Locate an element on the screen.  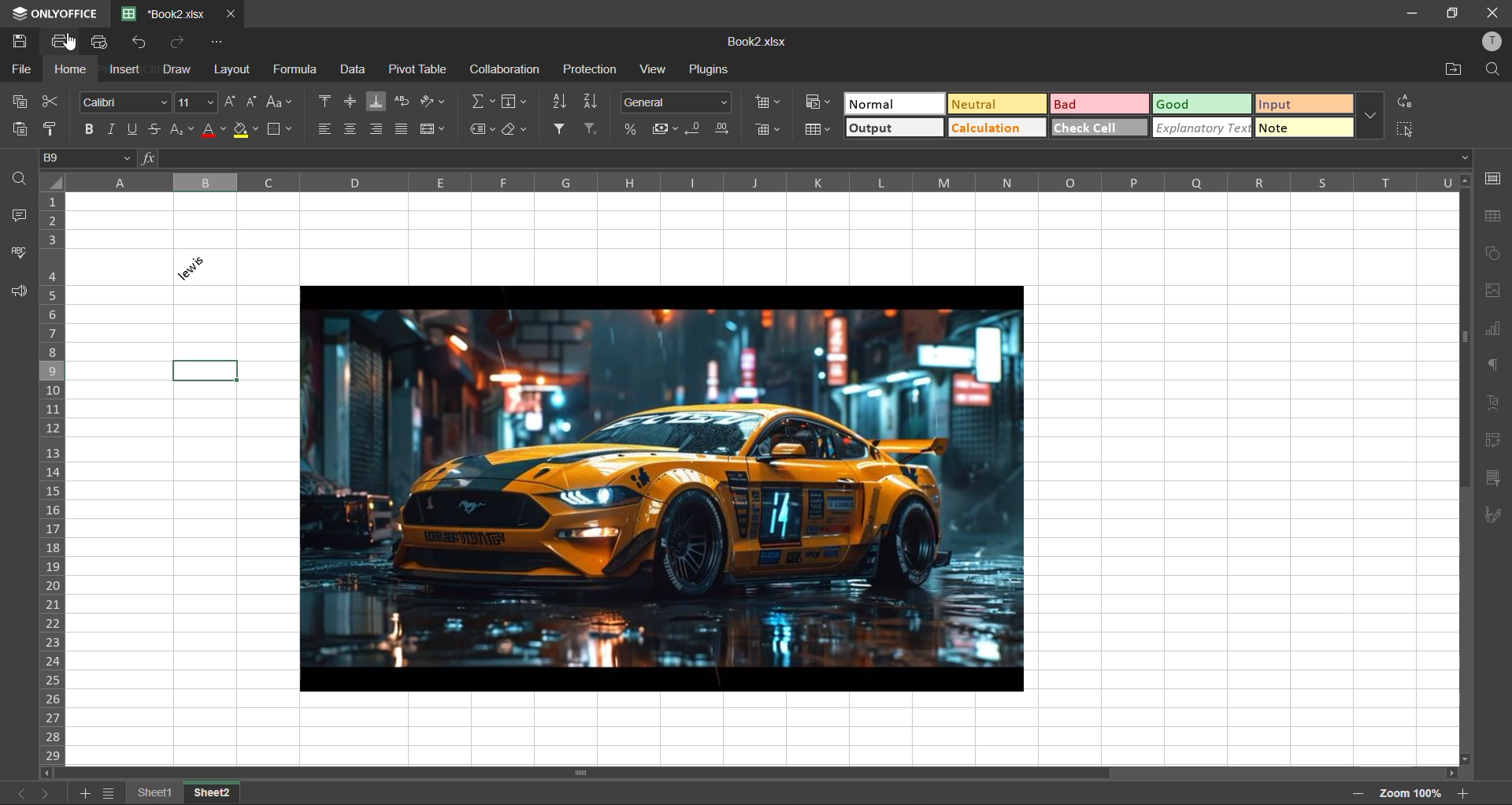
layout is located at coordinates (232, 68).